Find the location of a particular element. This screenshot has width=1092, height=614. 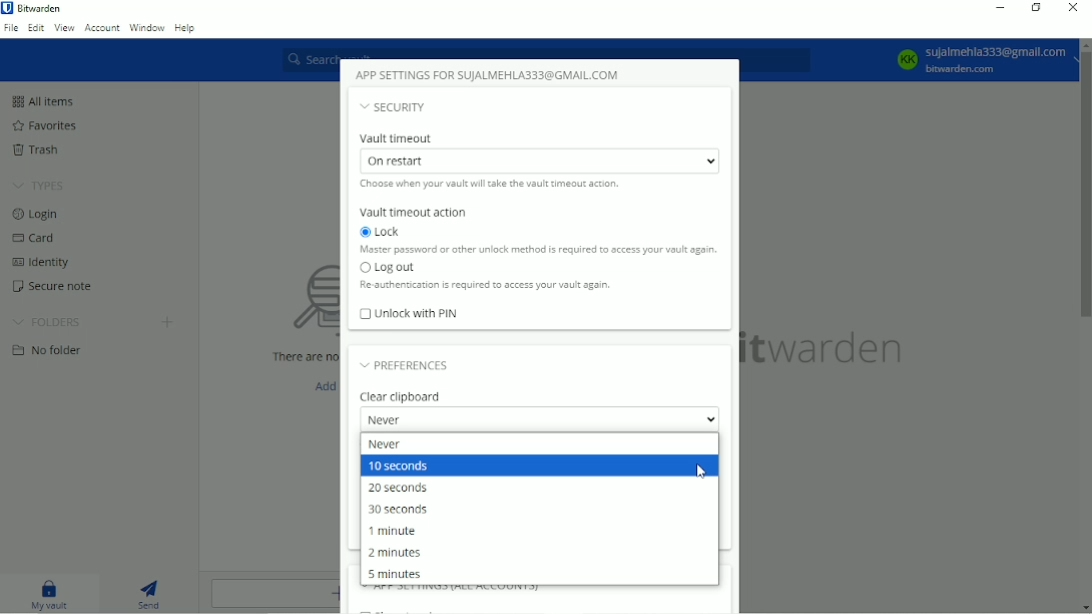

FOLDERS is located at coordinates (53, 322).